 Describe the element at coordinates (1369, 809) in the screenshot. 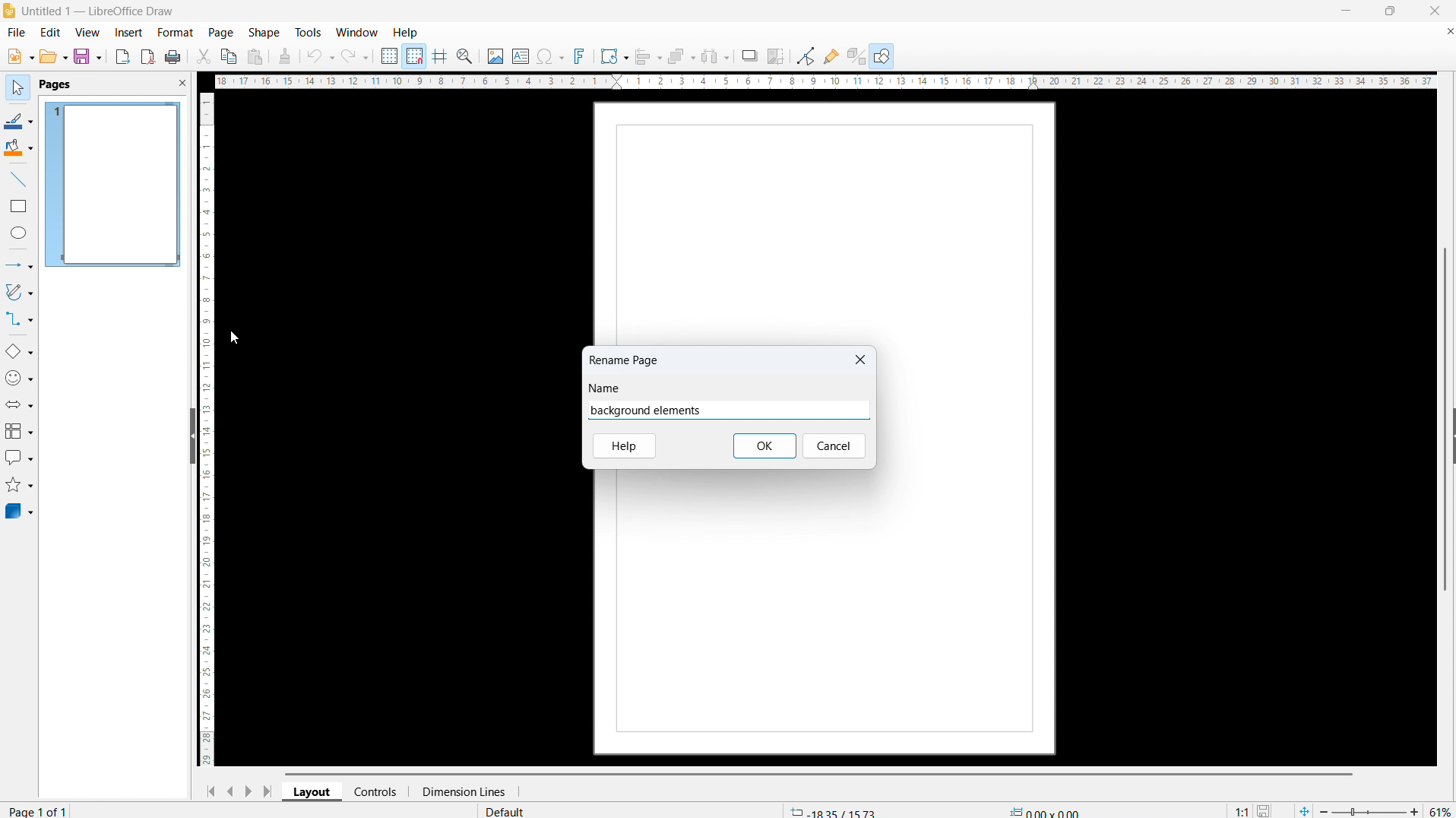

I see `zoom slider` at that location.